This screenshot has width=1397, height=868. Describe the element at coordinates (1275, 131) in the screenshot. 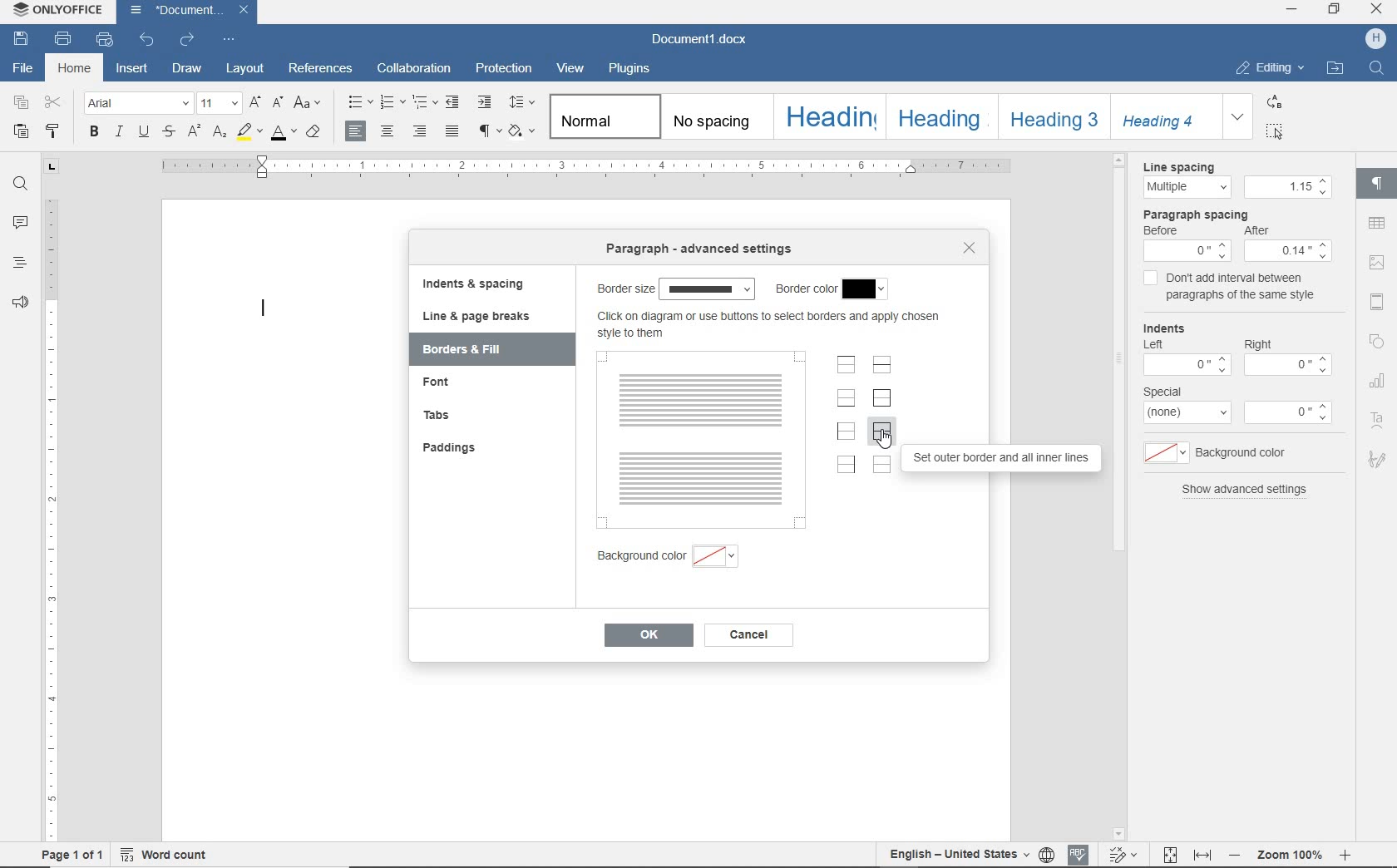

I see `SELECT ALL` at that location.